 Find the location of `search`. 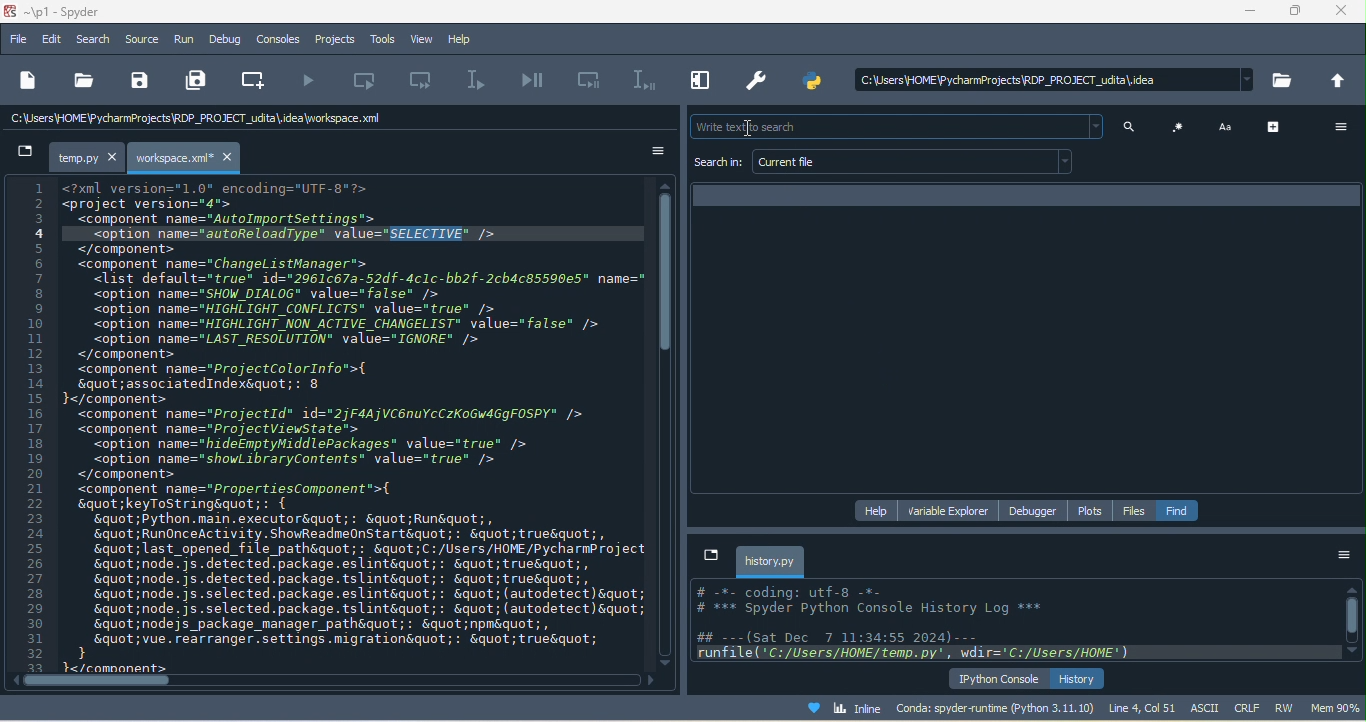

search is located at coordinates (1134, 128).